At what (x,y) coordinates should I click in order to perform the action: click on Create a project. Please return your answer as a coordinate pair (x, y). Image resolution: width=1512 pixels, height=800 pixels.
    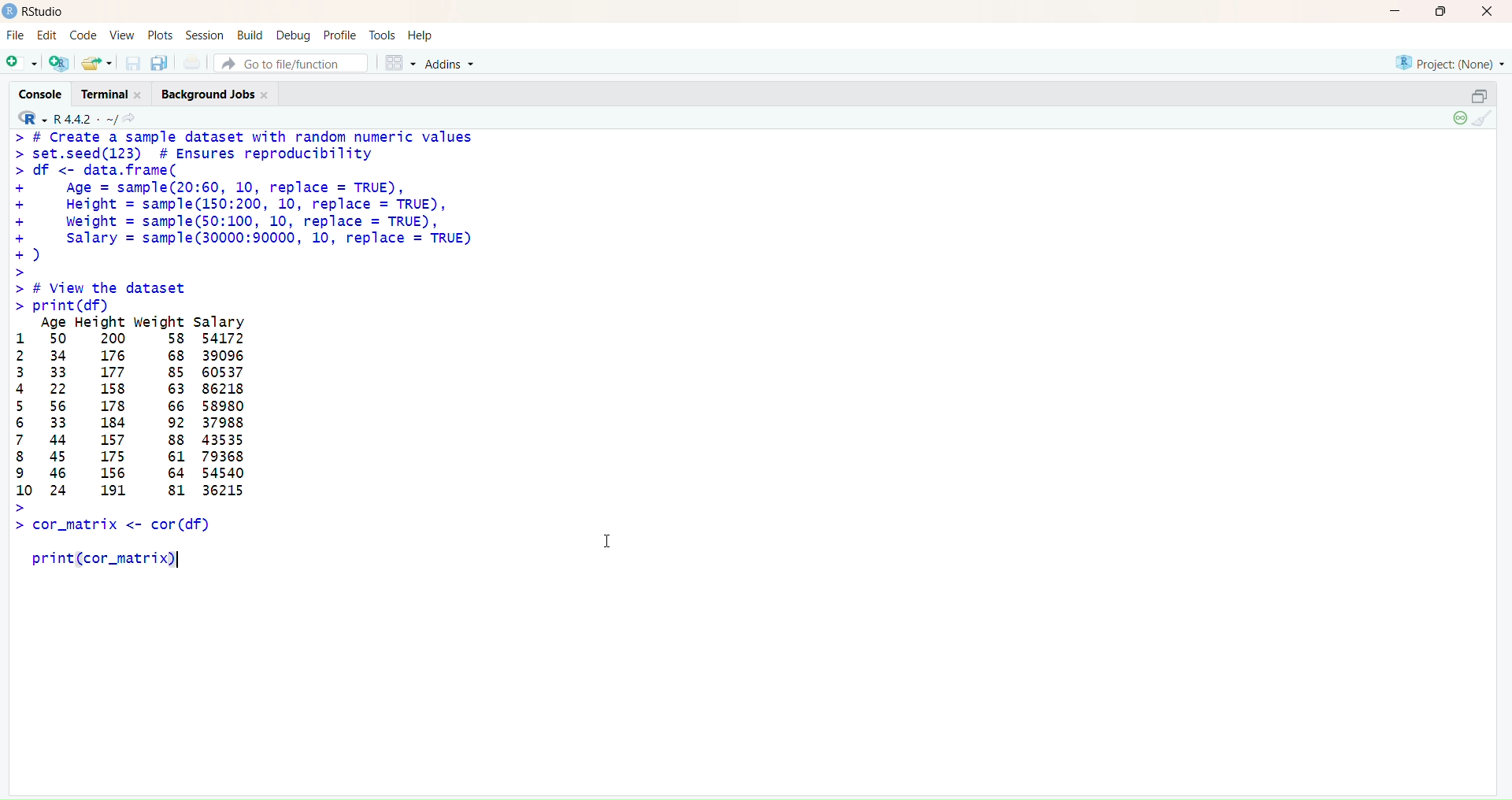
    Looking at the image, I should click on (57, 61).